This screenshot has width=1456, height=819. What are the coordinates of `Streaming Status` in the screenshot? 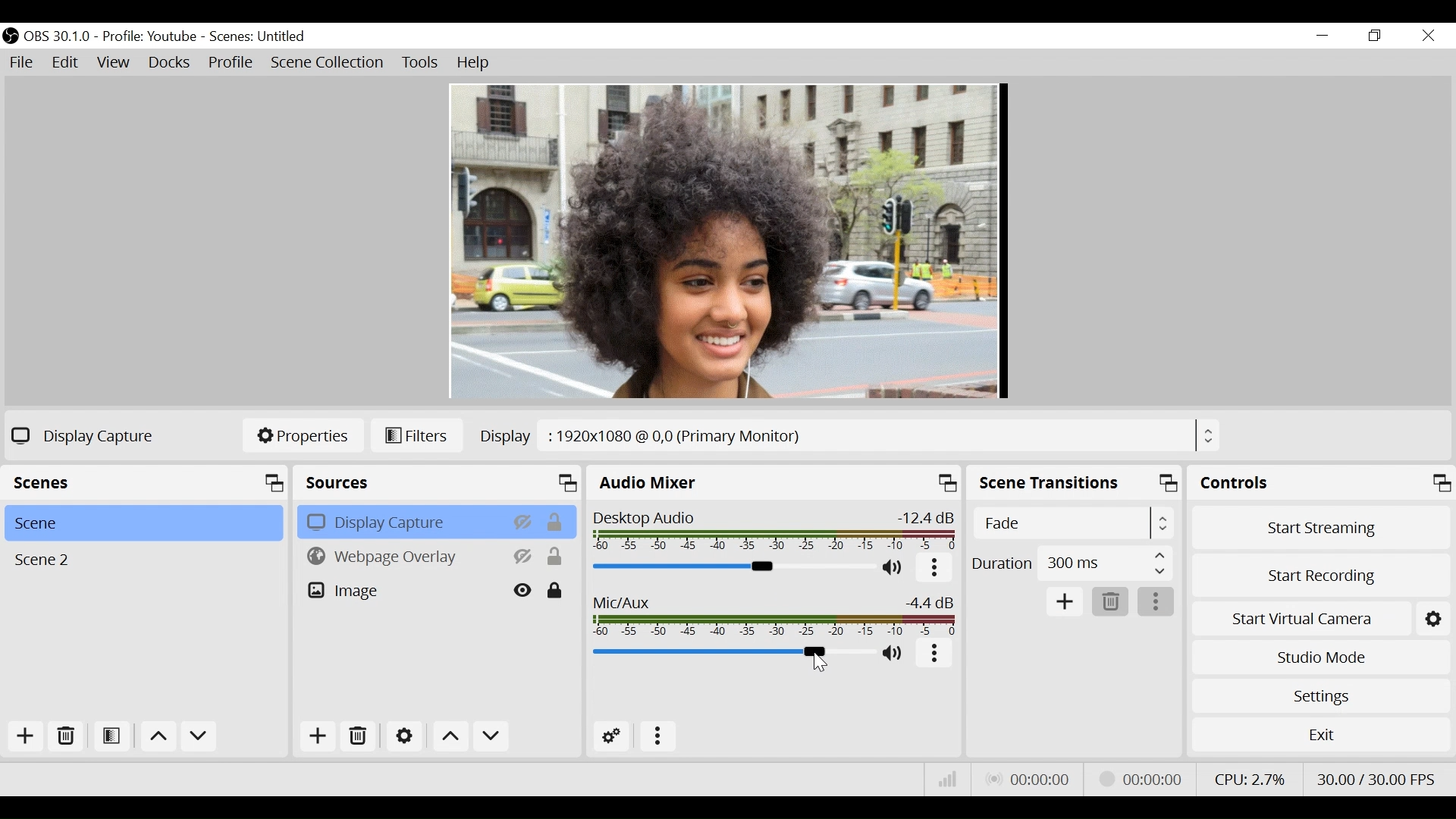 It's located at (1131, 780).